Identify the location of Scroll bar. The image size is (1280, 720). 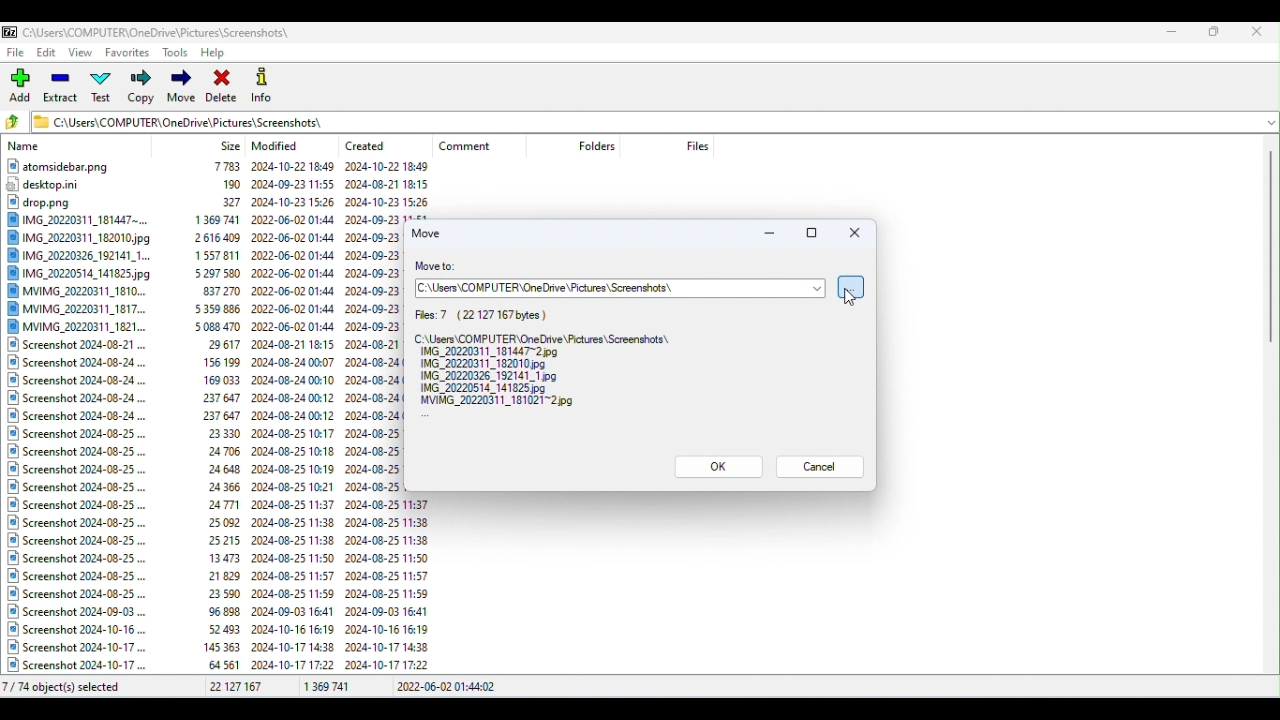
(1272, 407).